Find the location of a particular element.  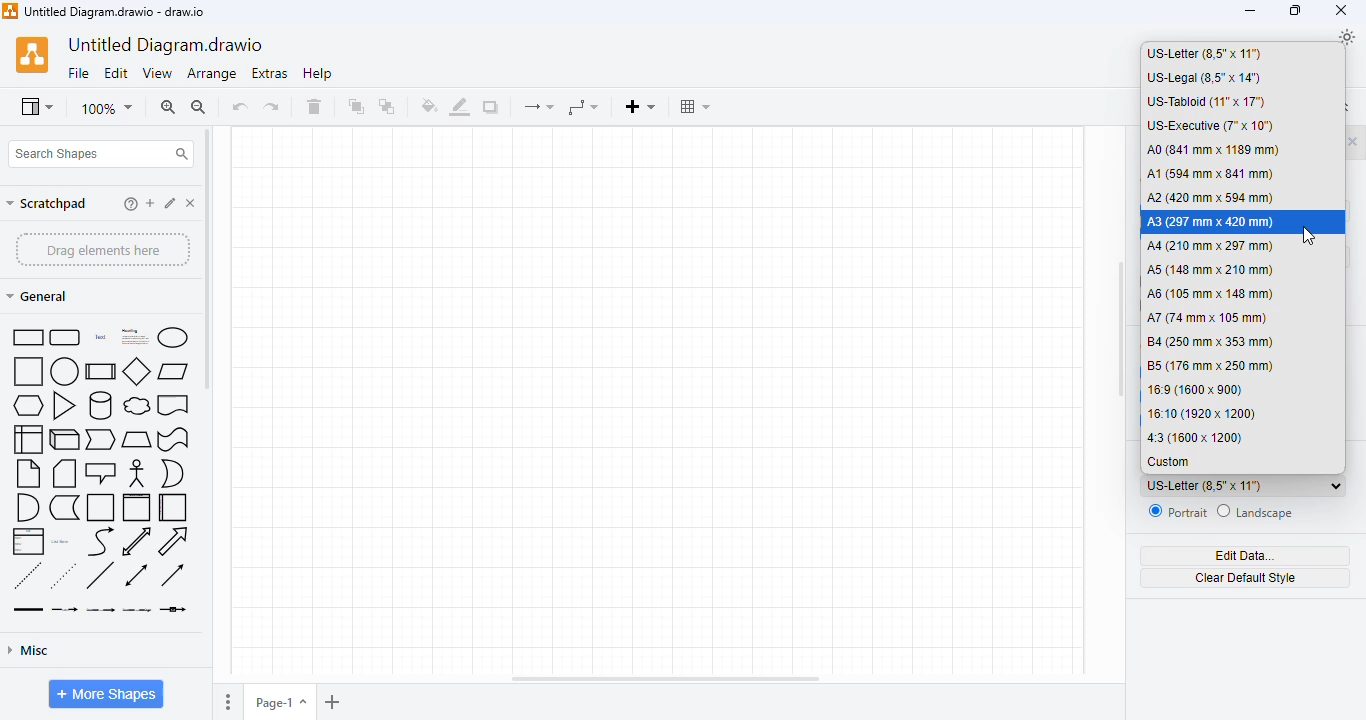

16:10 is located at coordinates (1200, 413).